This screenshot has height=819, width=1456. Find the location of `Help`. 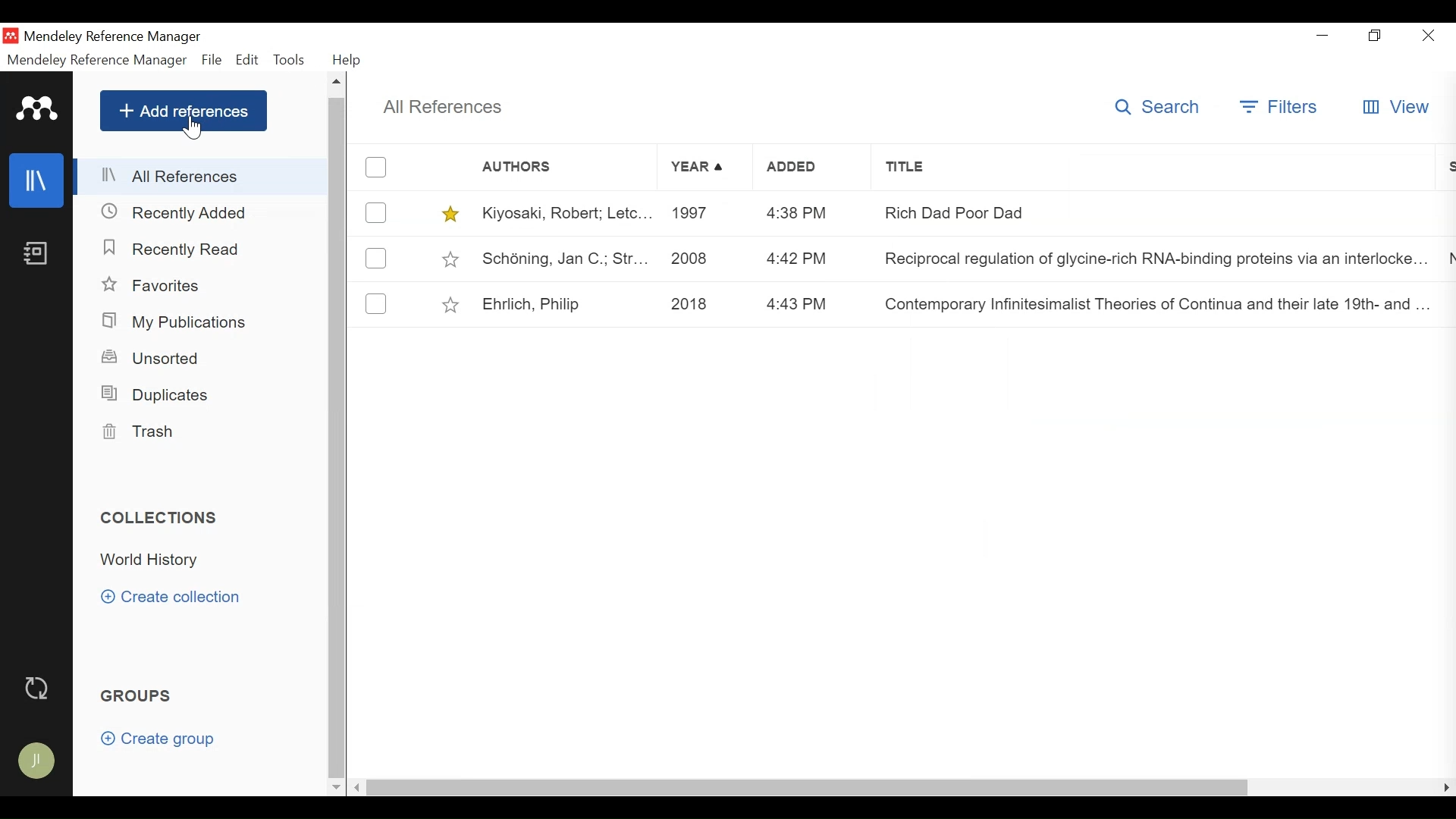

Help is located at coordinates (347, 60).